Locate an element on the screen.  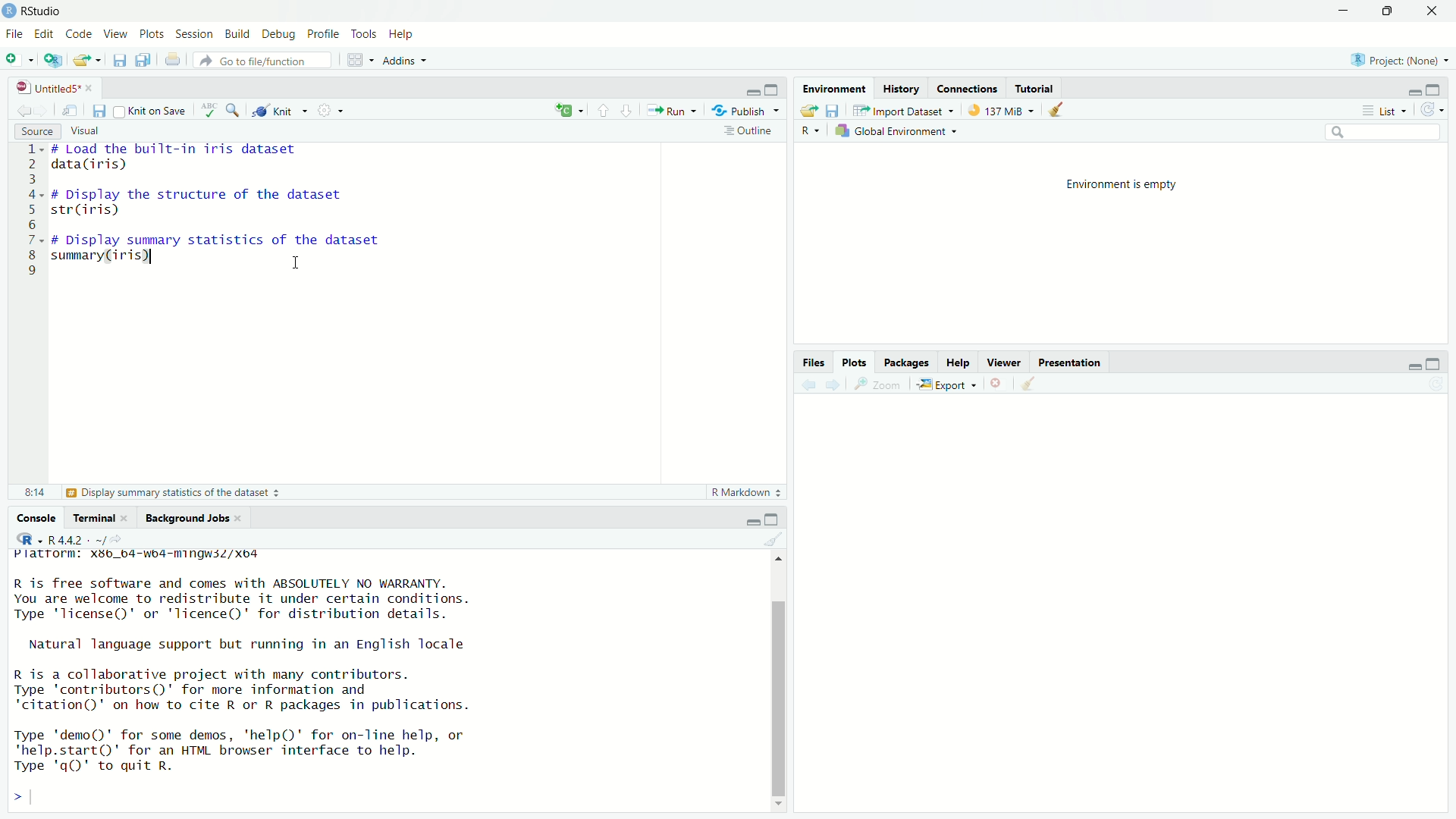
Build is located at coordinates (237, 33).